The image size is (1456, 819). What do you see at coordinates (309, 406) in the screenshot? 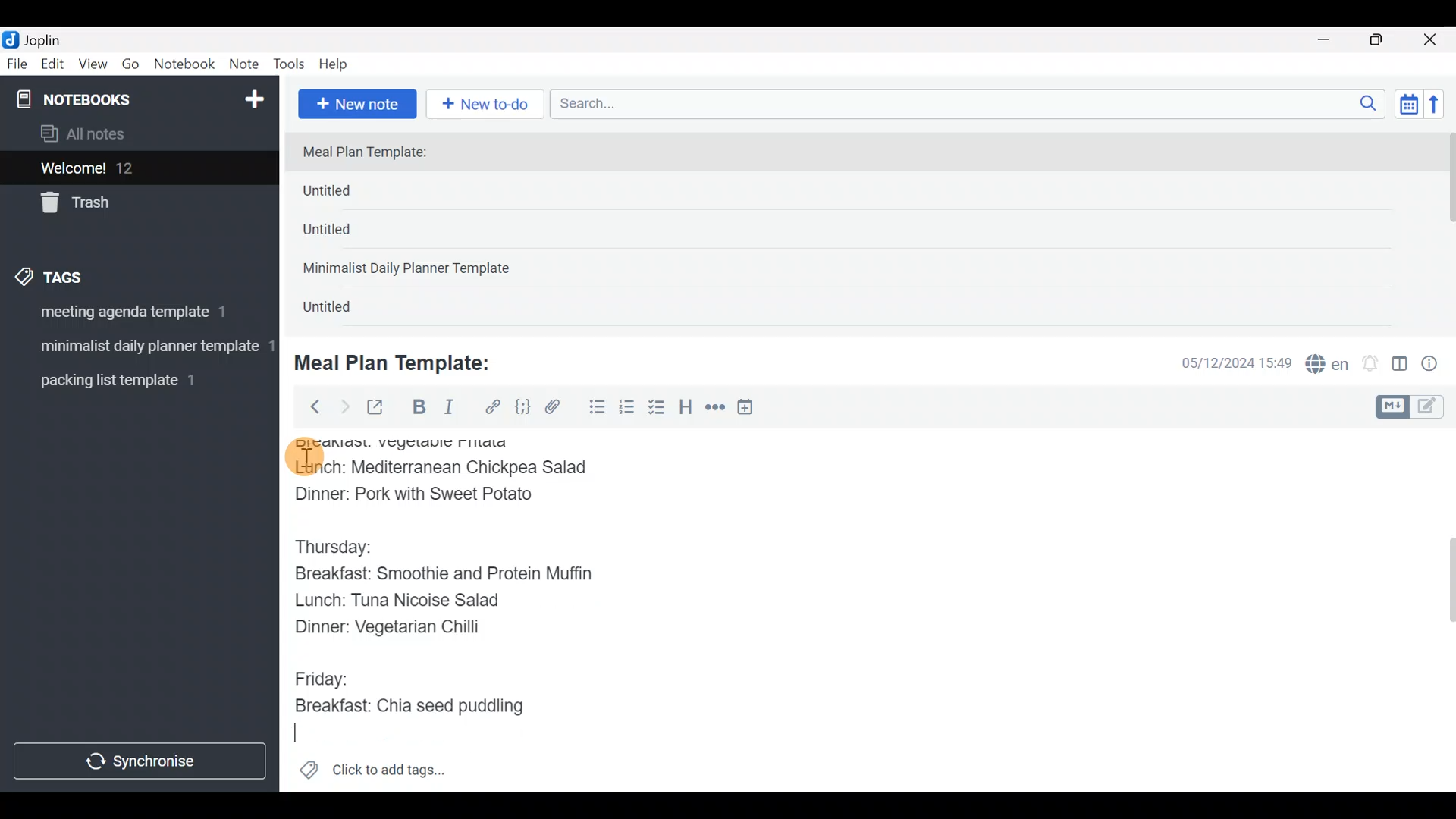
I see `Back` at bounding box center [309, 406].